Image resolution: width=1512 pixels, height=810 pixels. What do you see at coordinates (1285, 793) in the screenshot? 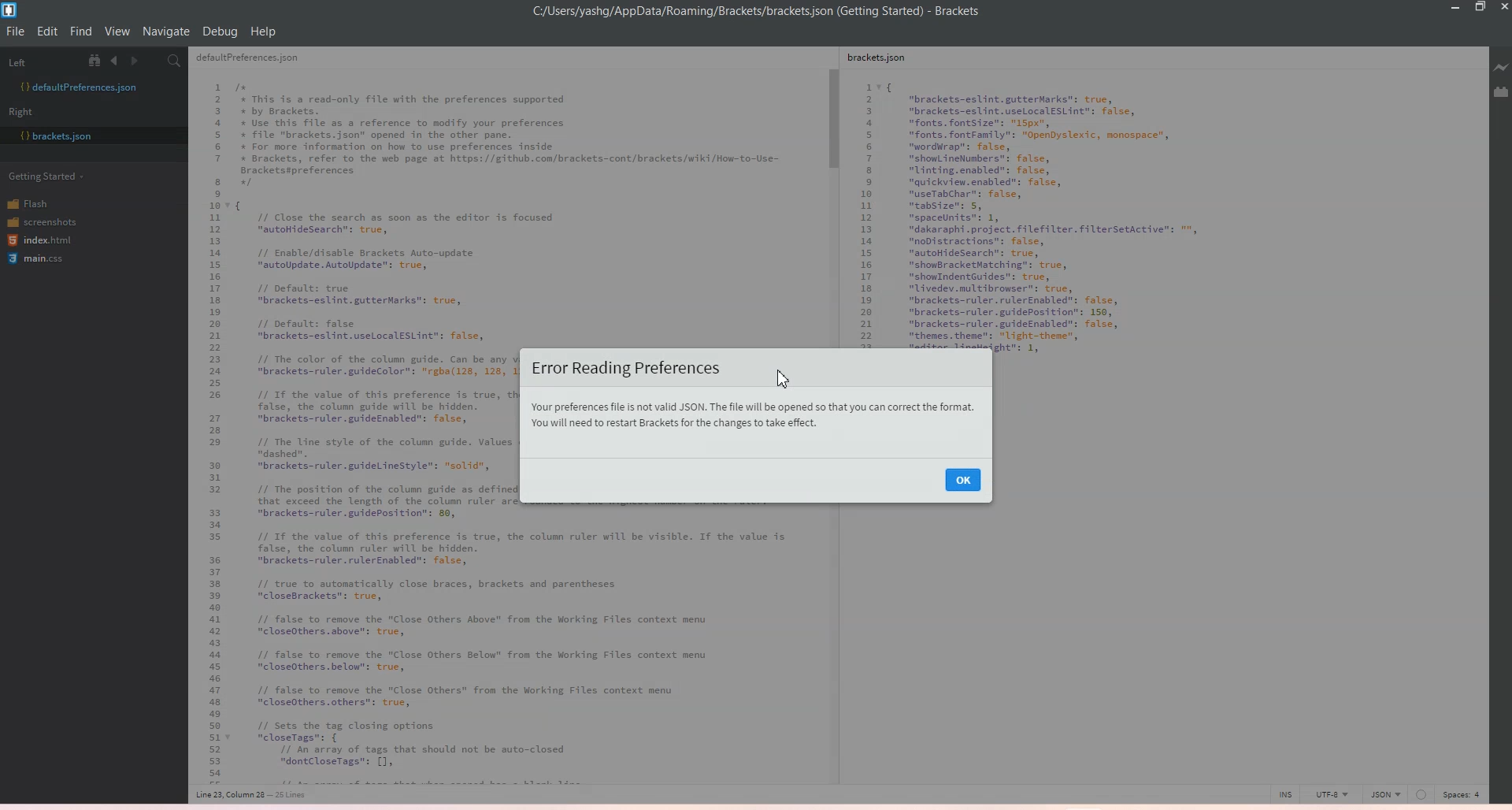
I see `INS` at bounding box center [1285, 793].